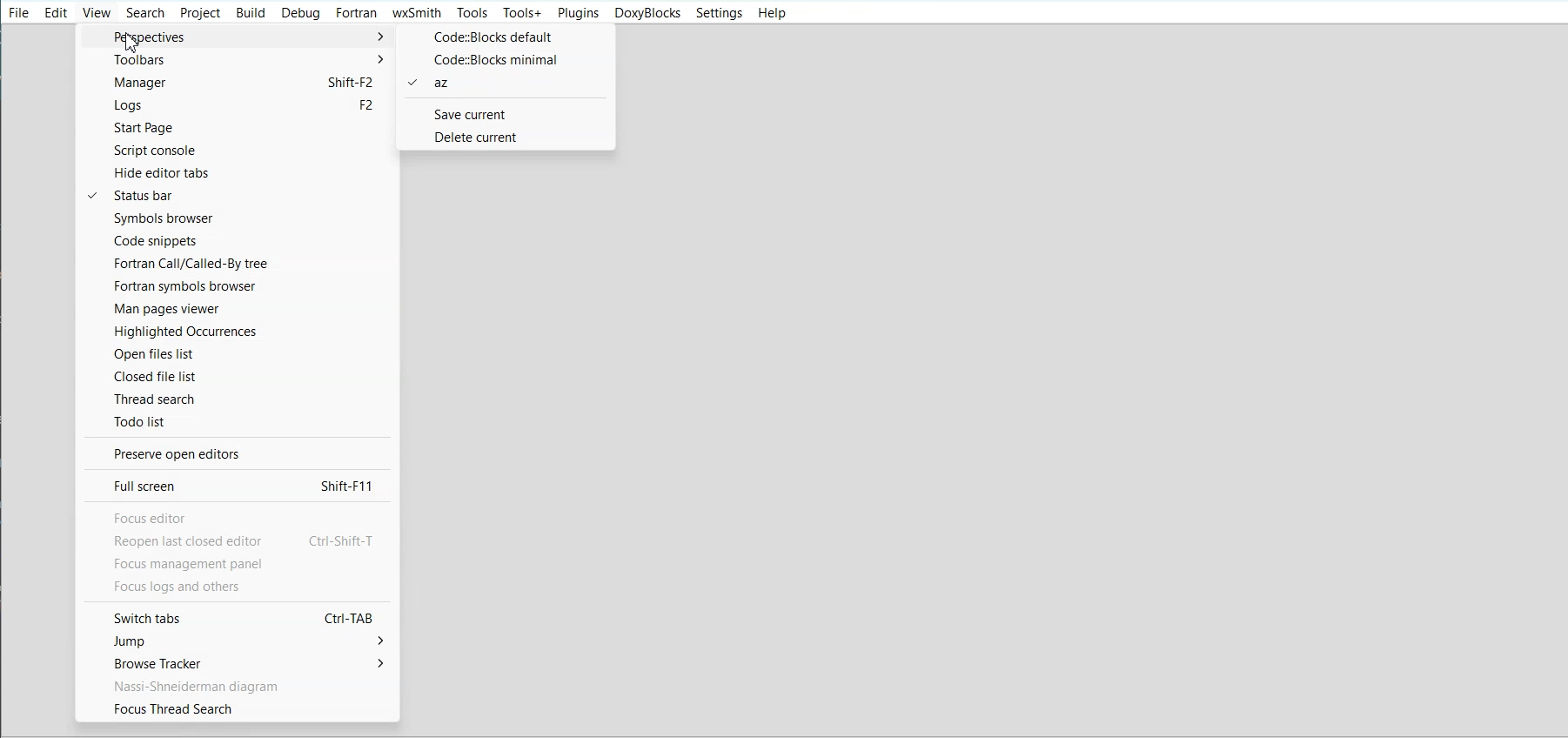 This screenshot has height=738, width=1568. Describe the element at coordinates (241, 552) in the screenshot. I see `text` at that location.